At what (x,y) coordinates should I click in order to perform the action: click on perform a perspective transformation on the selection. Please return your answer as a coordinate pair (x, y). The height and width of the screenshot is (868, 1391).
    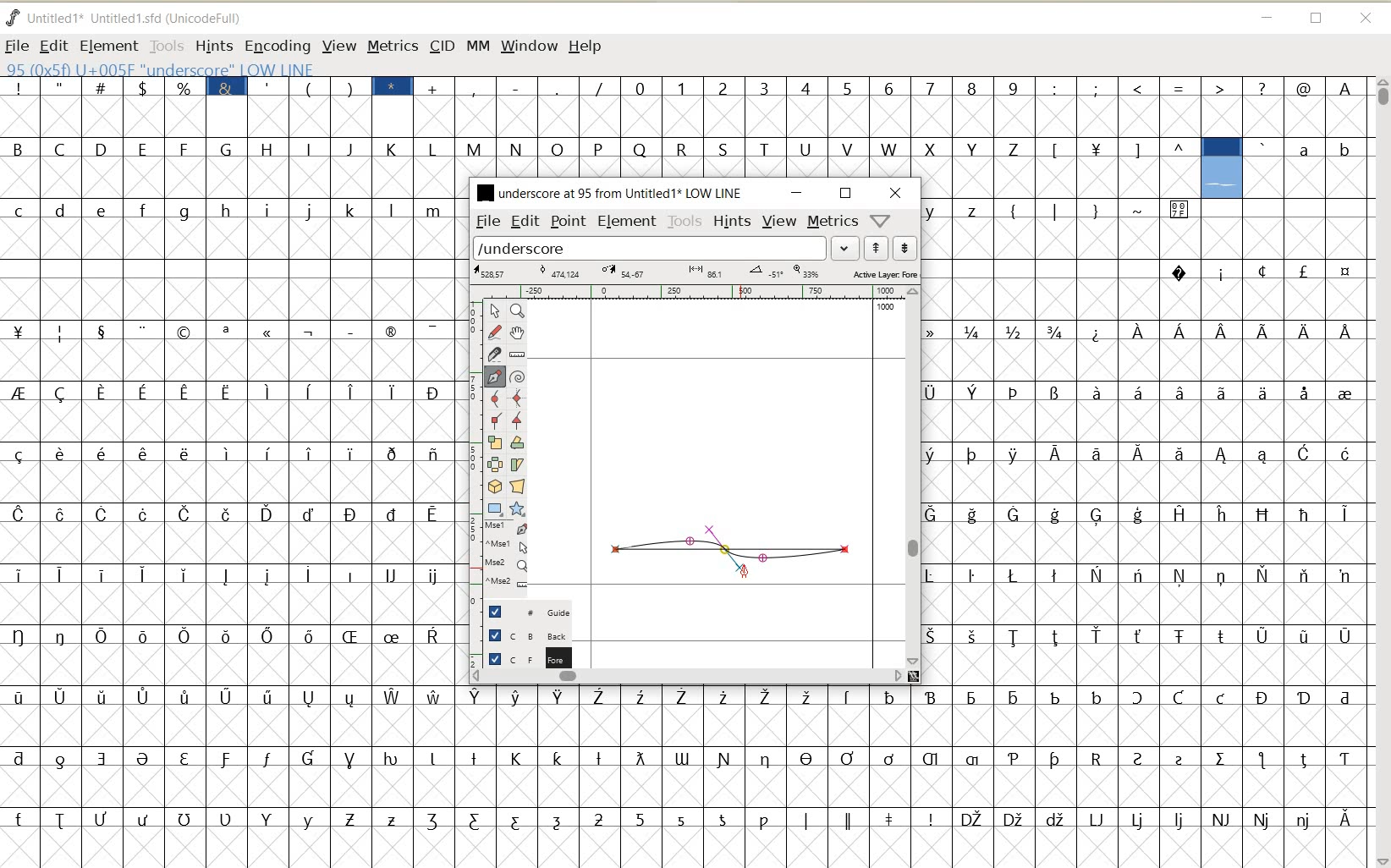
    Looking at the image, I should click on (517, 486).